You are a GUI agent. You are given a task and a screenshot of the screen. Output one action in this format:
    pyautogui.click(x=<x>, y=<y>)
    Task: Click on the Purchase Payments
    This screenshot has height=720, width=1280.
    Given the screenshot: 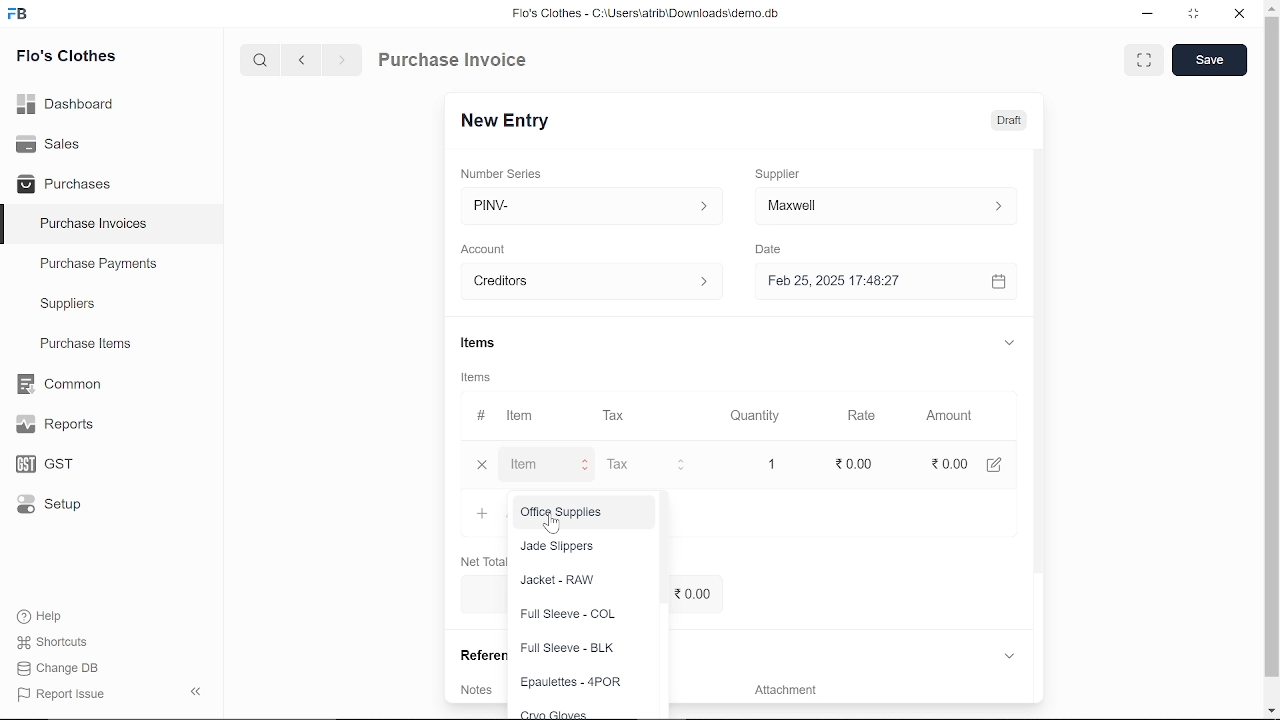 What is the action you would take?
    pyautogui.click(x=112, y=268)
    